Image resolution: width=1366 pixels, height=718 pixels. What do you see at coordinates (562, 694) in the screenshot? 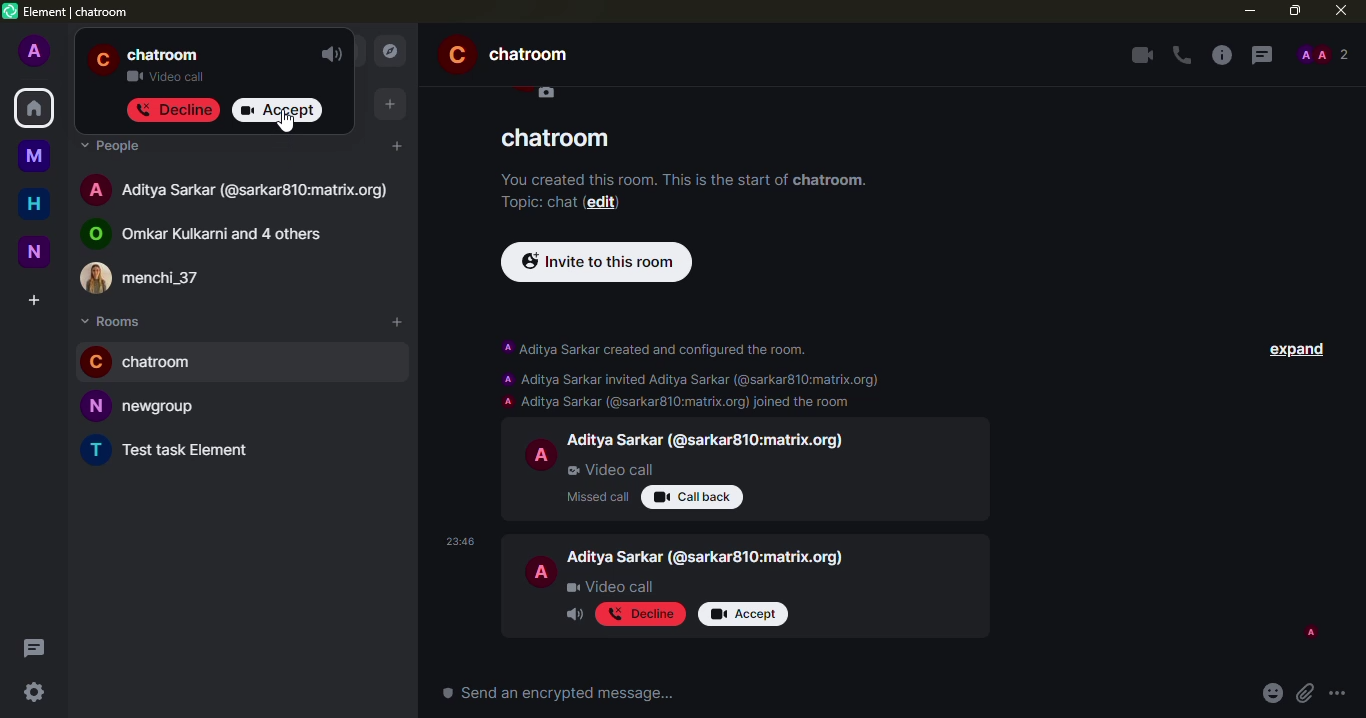
I see `send encrypted message` at bounding box center [562, 694].